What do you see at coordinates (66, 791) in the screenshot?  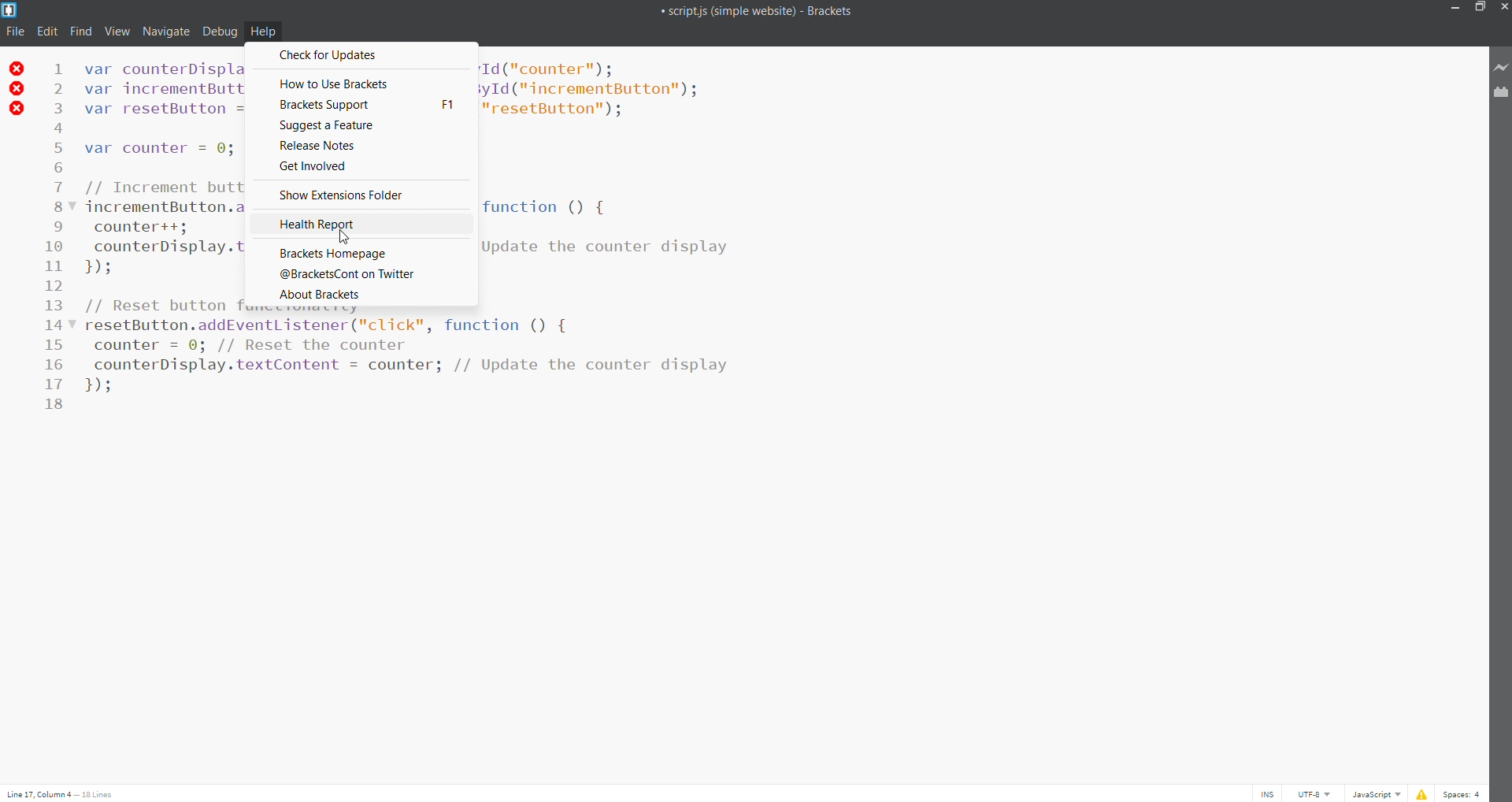 I see `cursor position` at bounding box center [66, 791].